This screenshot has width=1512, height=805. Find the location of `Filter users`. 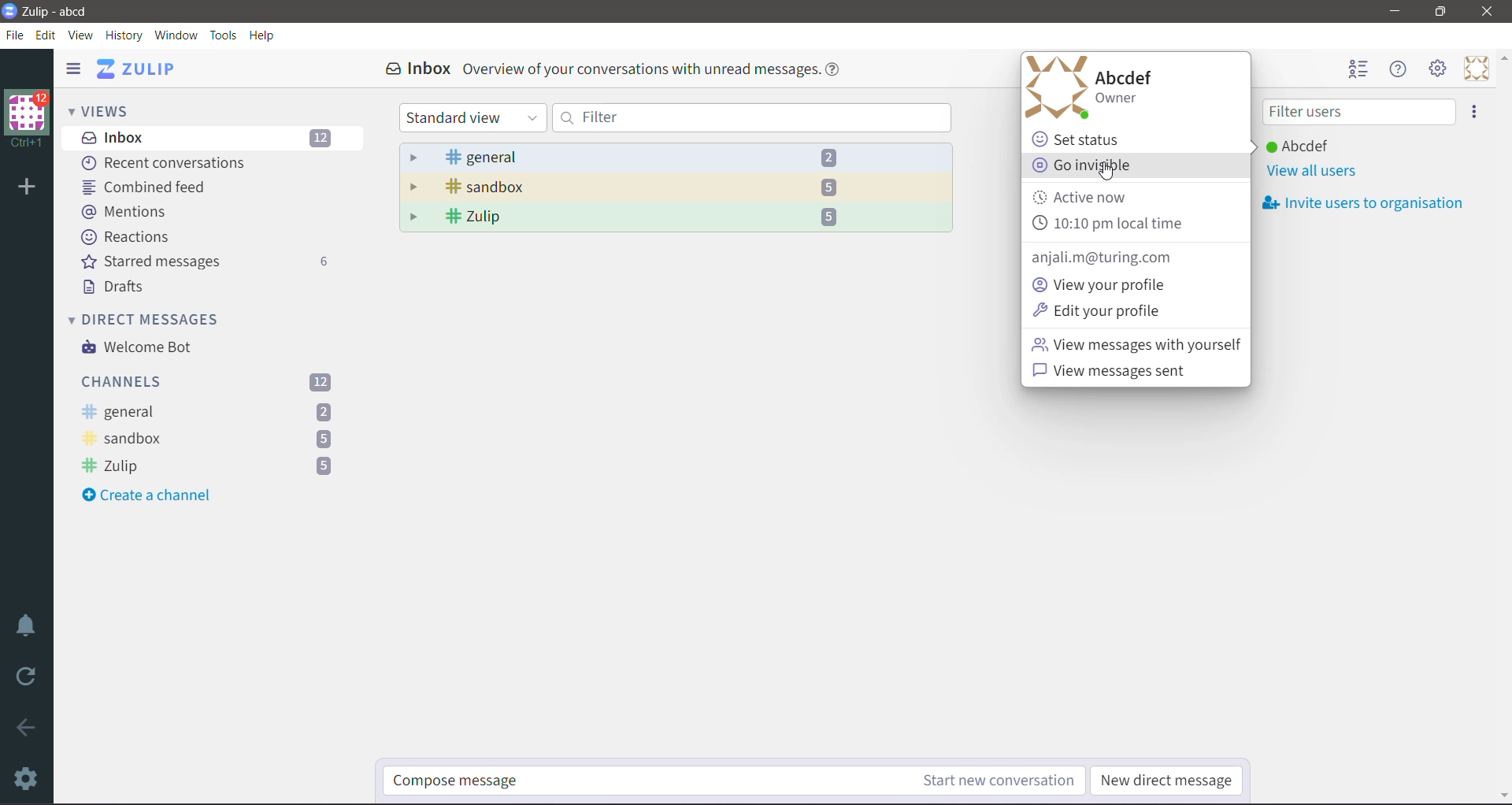

Filter users is located at coordinates (1358, 112).